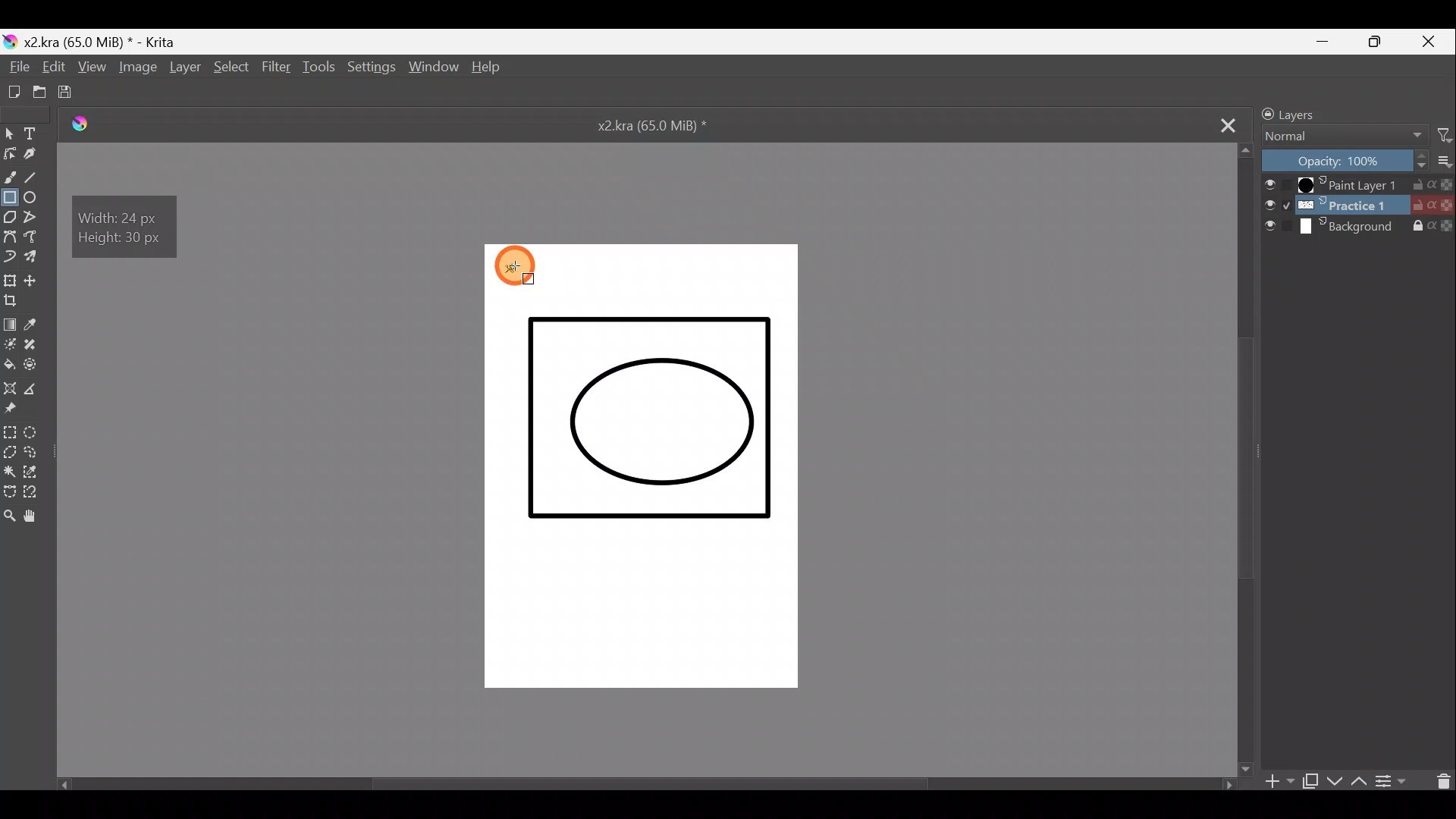  I want to click on Fill a contiguous area of colour with colour/fill a selection, so click(11, 364).